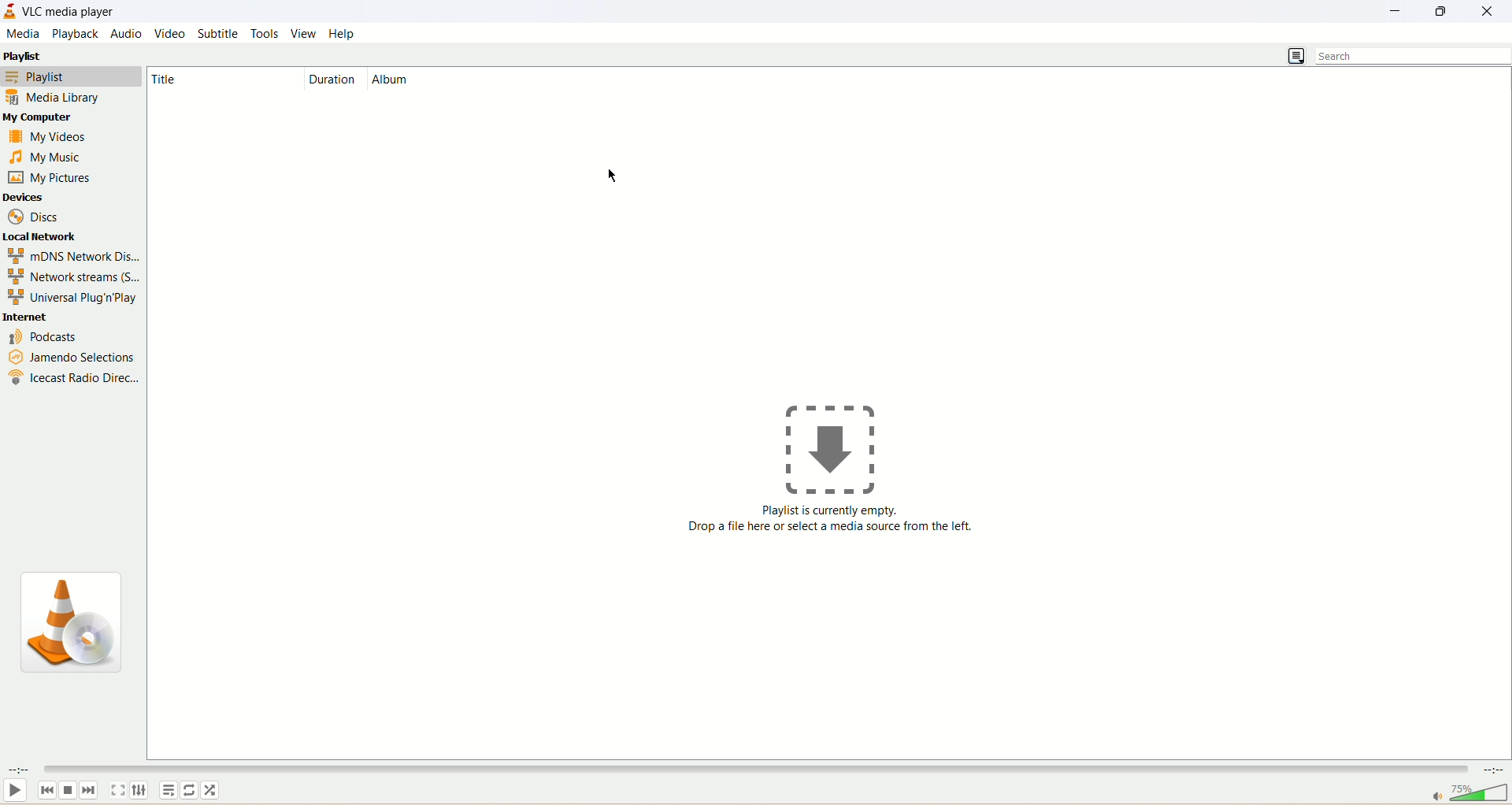  What do you see at coordinates (1443, 14) in the screenshot?
I see `maximize` at bounding box center [1443, 14].